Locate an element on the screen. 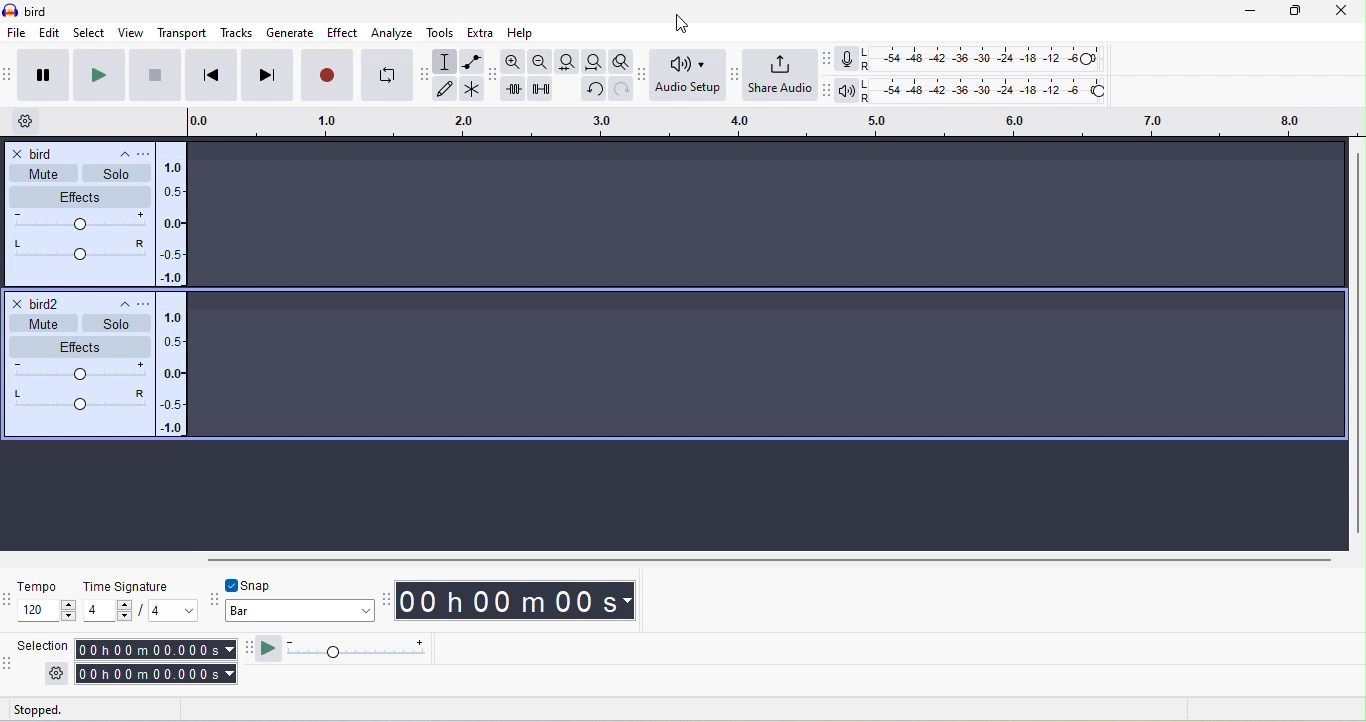 This screenshot has height=722, width=1366. help is located at coordinates (526, 31).